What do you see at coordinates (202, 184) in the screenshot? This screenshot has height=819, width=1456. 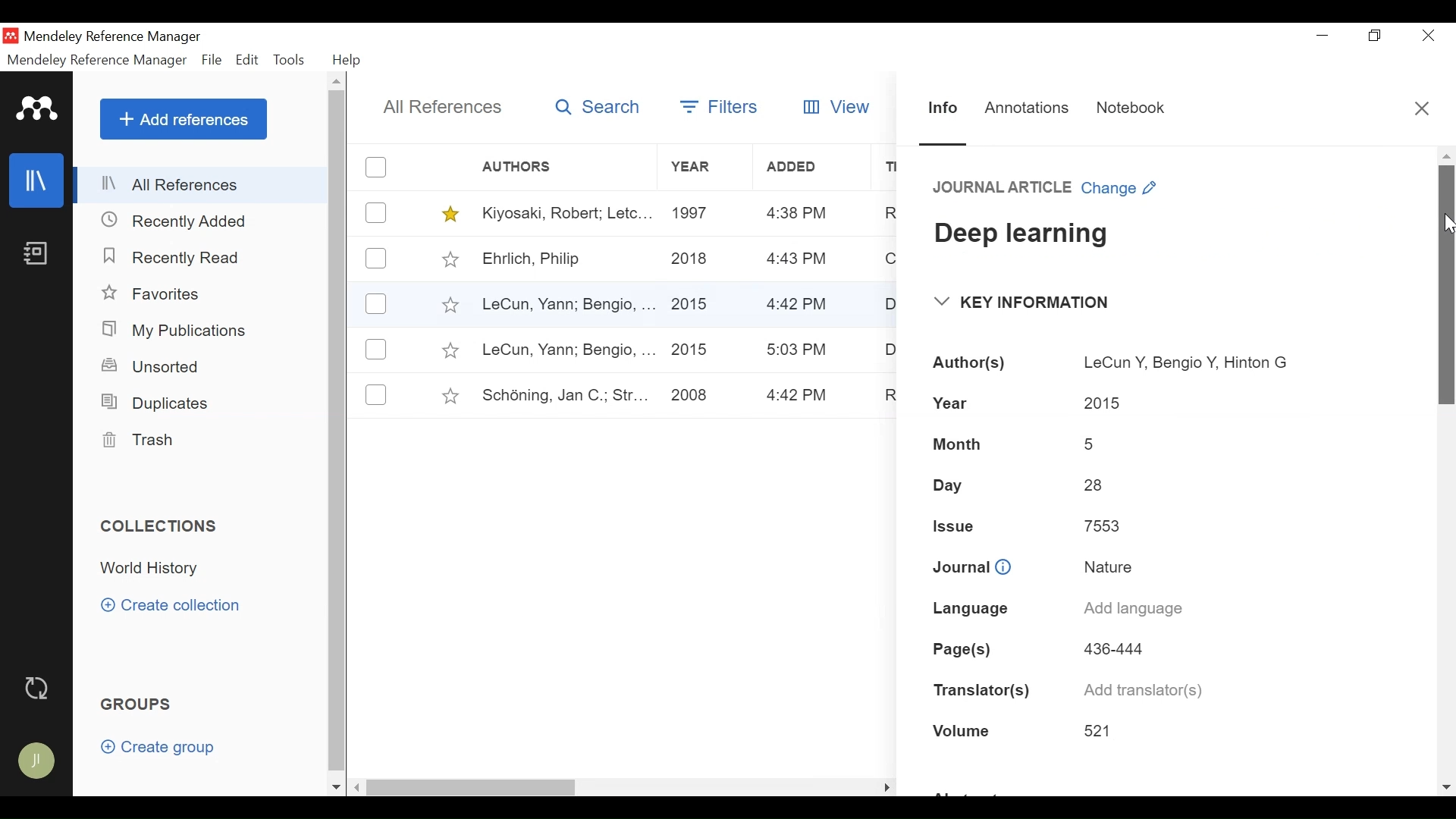 I see `All References` at bounding box center [202, 184].